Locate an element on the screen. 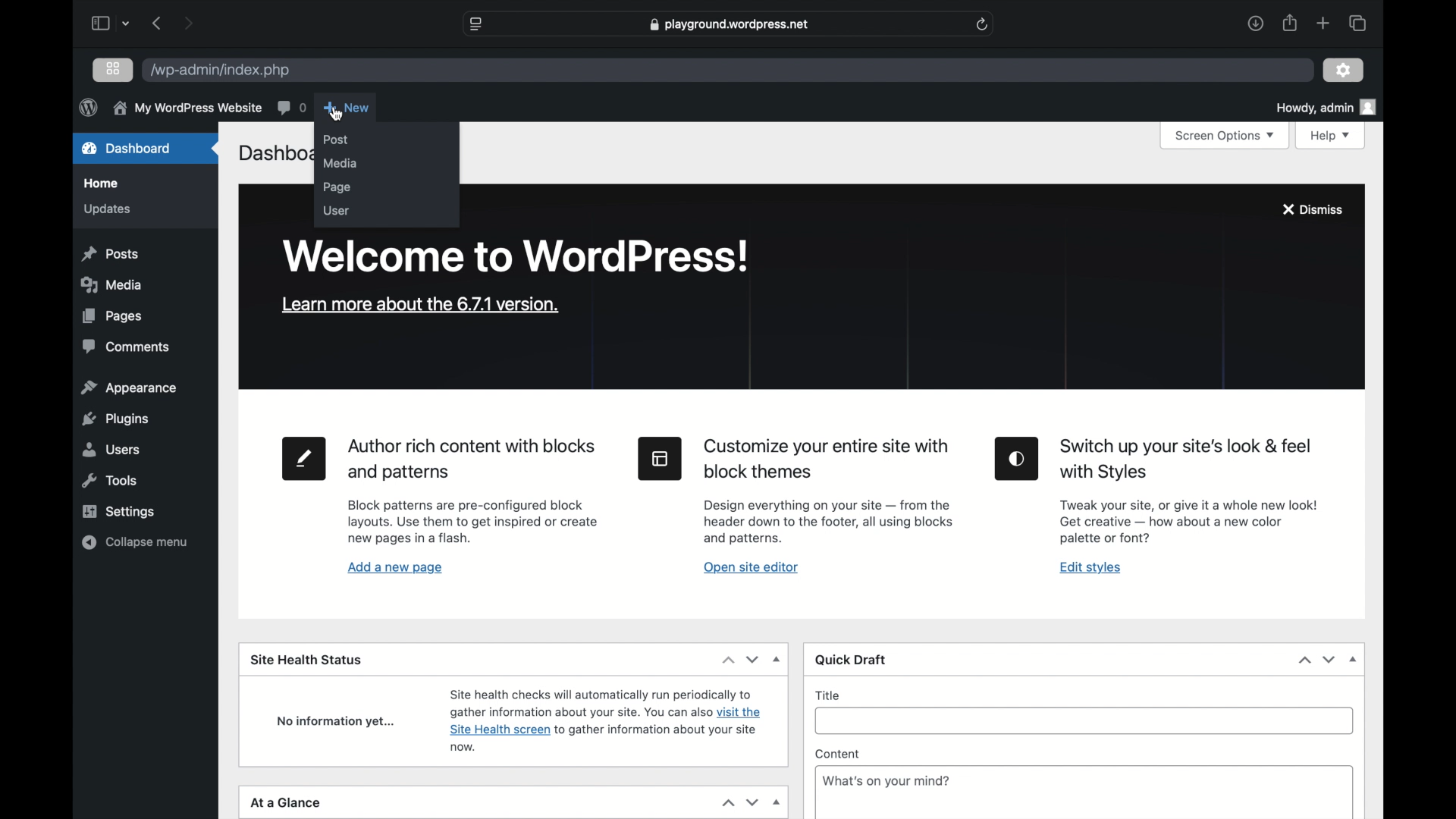 The width and height of the screenshot is (1456, 819). posts is located at coordinates (110, 255).